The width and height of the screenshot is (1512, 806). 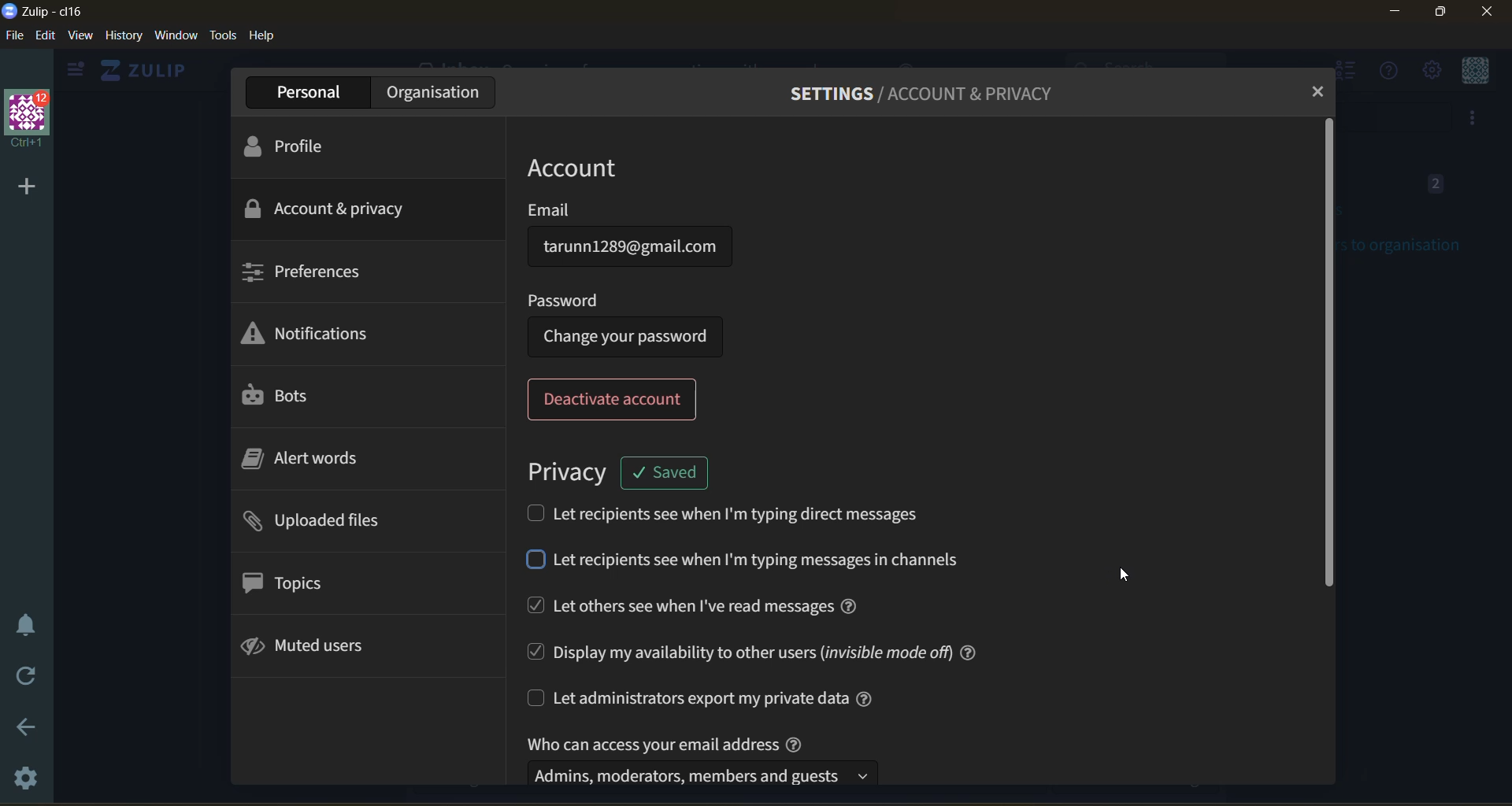 What do you see at coordinates (566, 470) in the screenshot?
I see `privacy` at bounding box center [566, 470].